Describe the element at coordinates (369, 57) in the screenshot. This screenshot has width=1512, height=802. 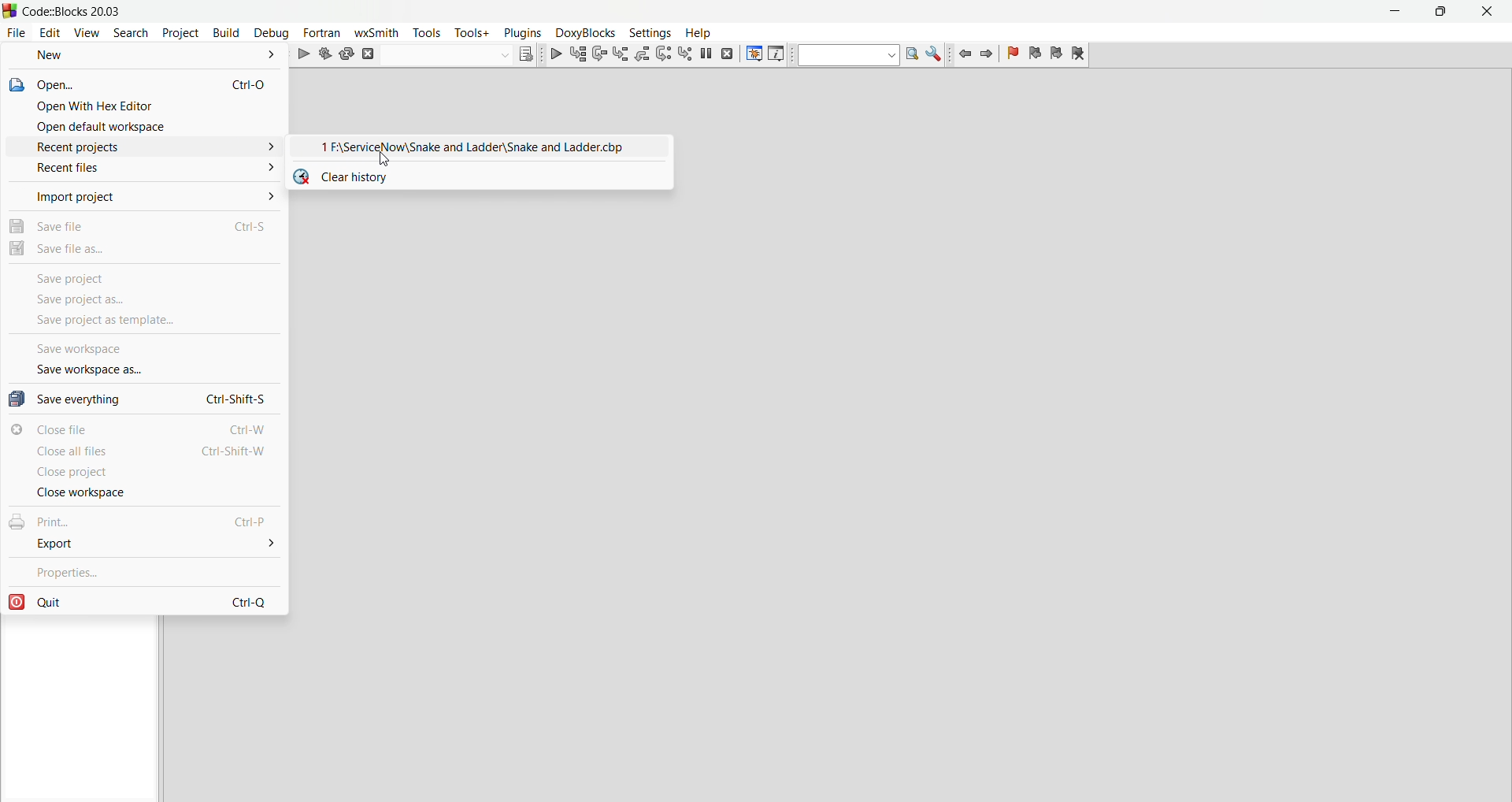
I see `abort` at that location.